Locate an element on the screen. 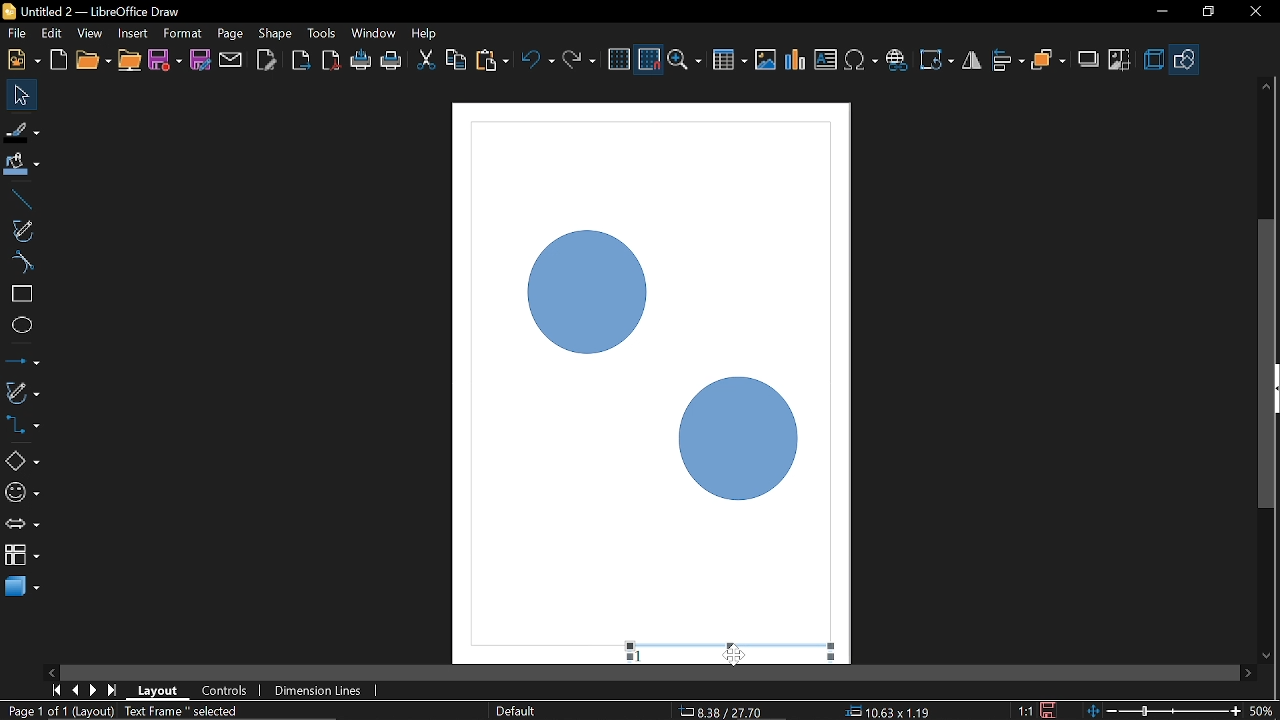 This screenshot has width=1280, height=720. MOve right is located at coordinates (1248, 672).